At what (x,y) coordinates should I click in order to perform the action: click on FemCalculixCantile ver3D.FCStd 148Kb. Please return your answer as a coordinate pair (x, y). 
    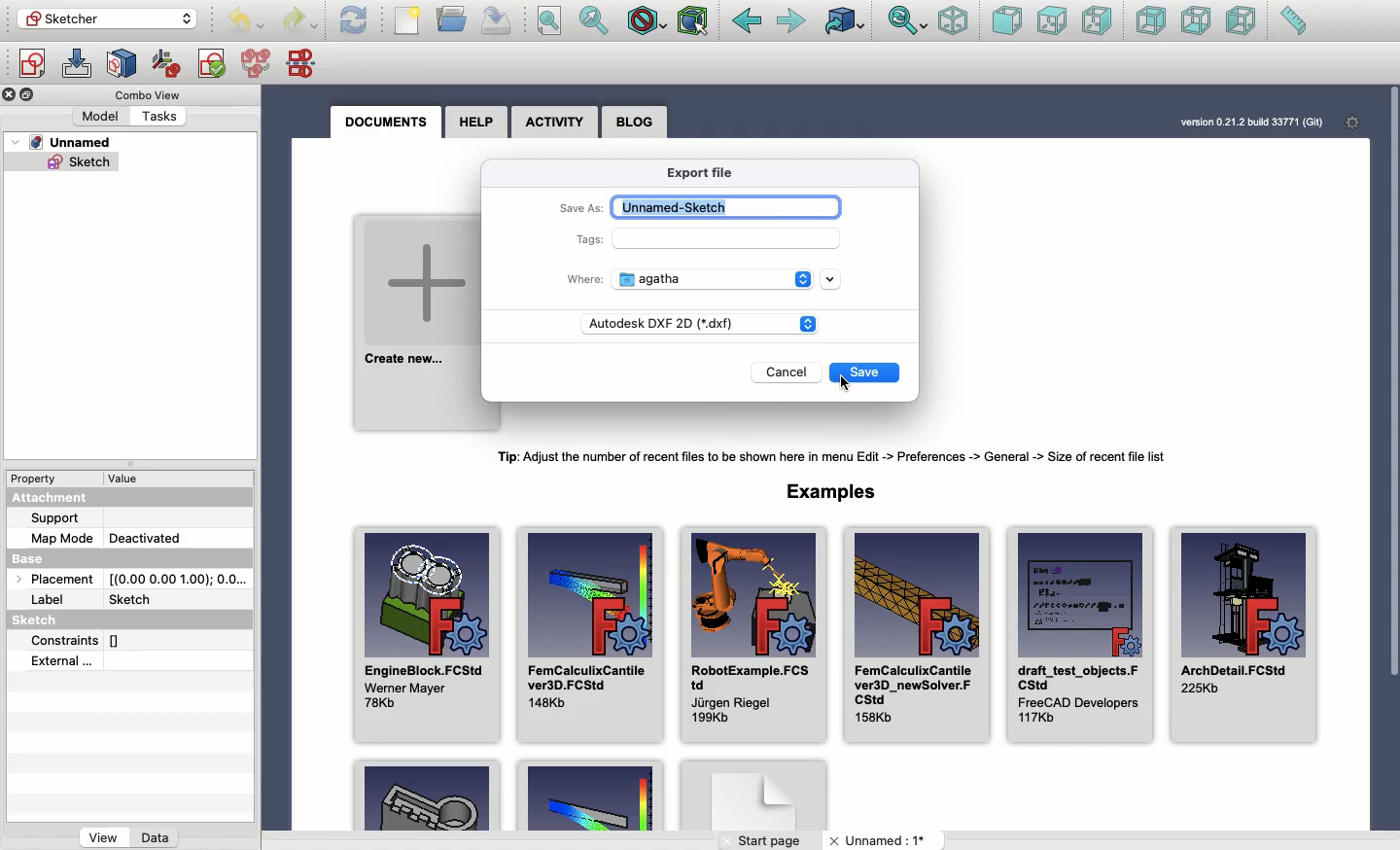
    Looking at the image, I should click on (591, 635).